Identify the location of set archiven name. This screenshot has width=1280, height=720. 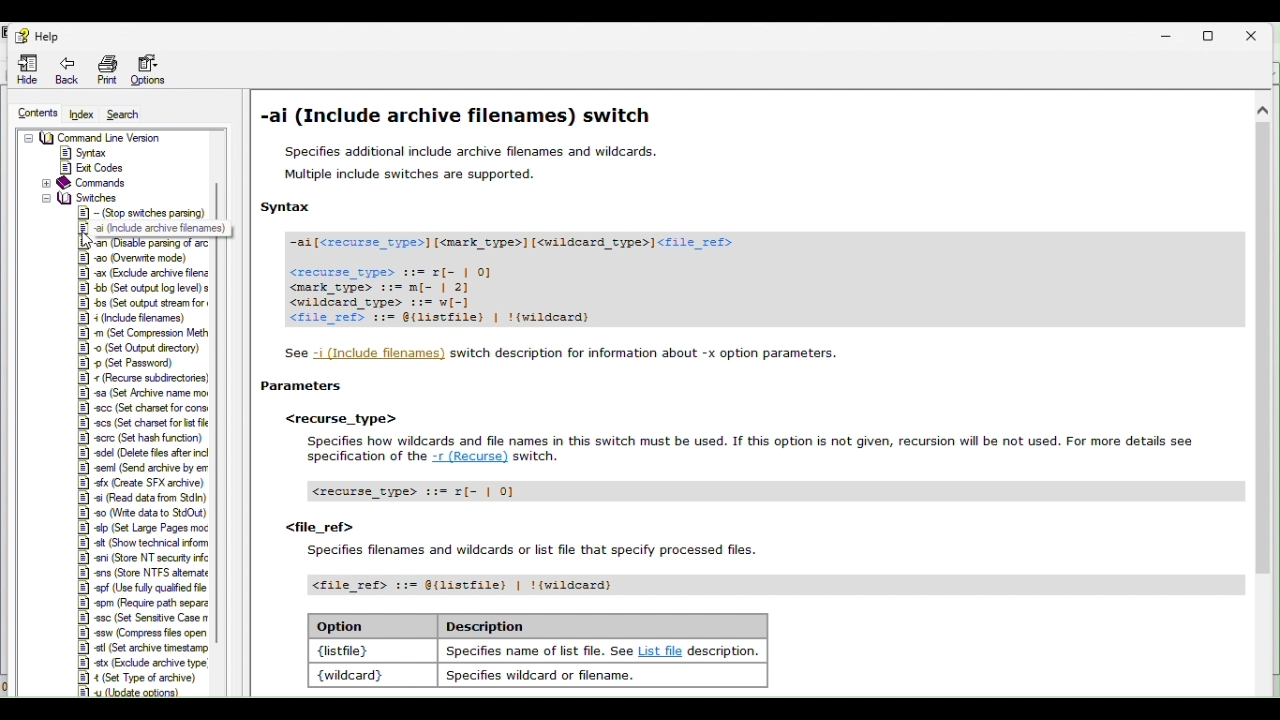
(143, 392).